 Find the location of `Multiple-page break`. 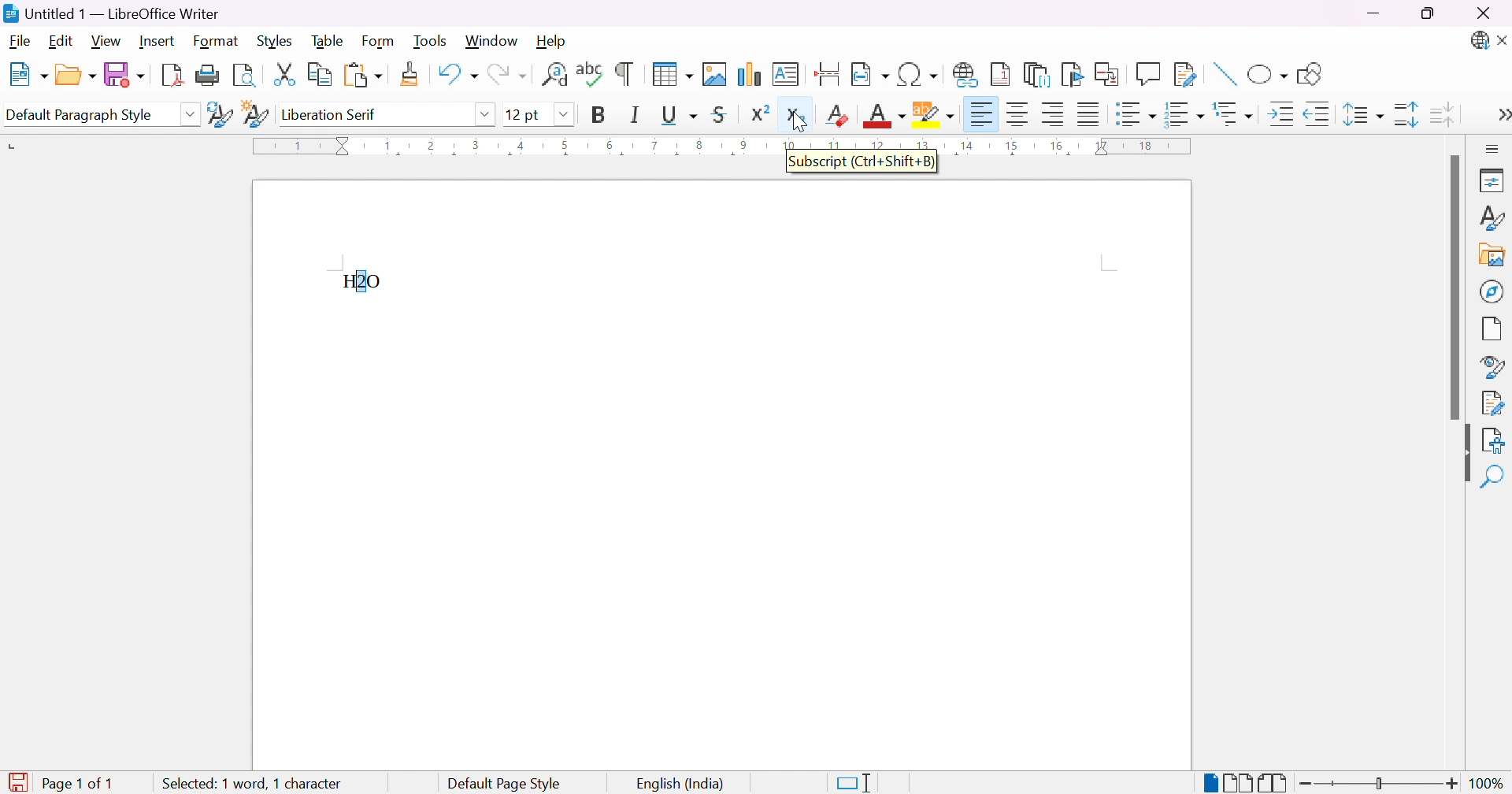

Multiple-page break is located at coordinates (1237, 785).